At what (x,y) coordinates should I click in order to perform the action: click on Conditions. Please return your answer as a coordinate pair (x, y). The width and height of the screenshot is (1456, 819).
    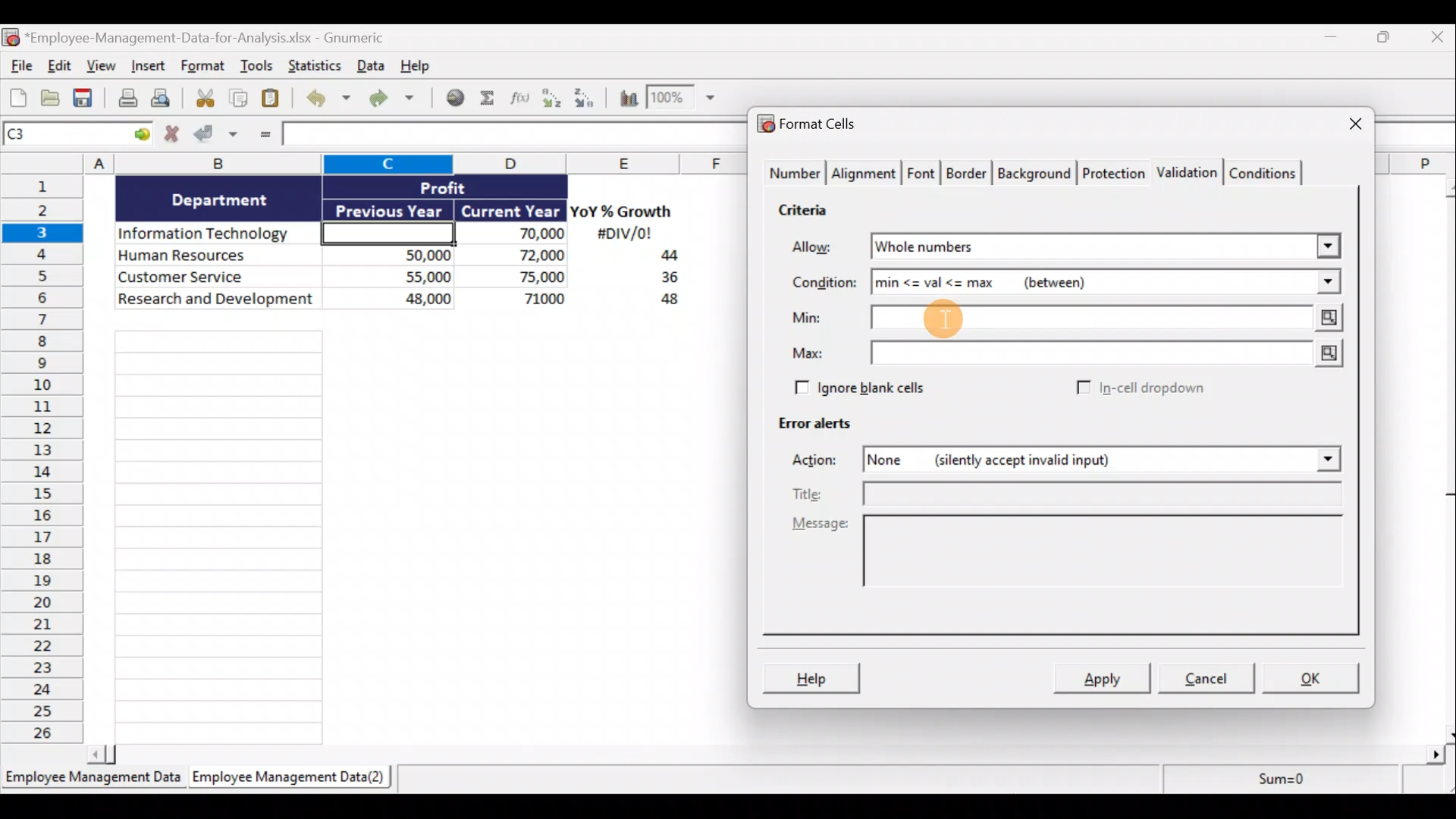
    Looking at the image, I should click on (1268, 172).